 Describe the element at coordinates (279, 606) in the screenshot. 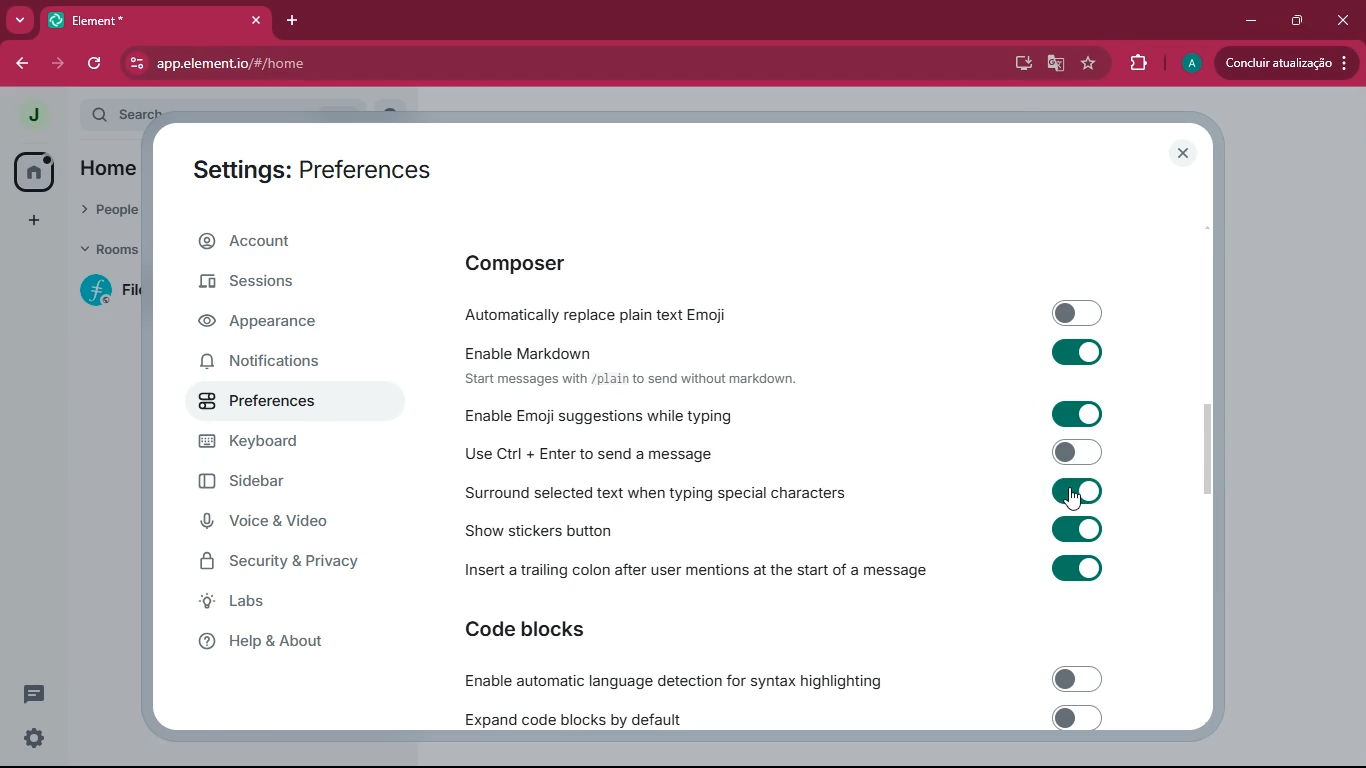

I see `labs` at that location.